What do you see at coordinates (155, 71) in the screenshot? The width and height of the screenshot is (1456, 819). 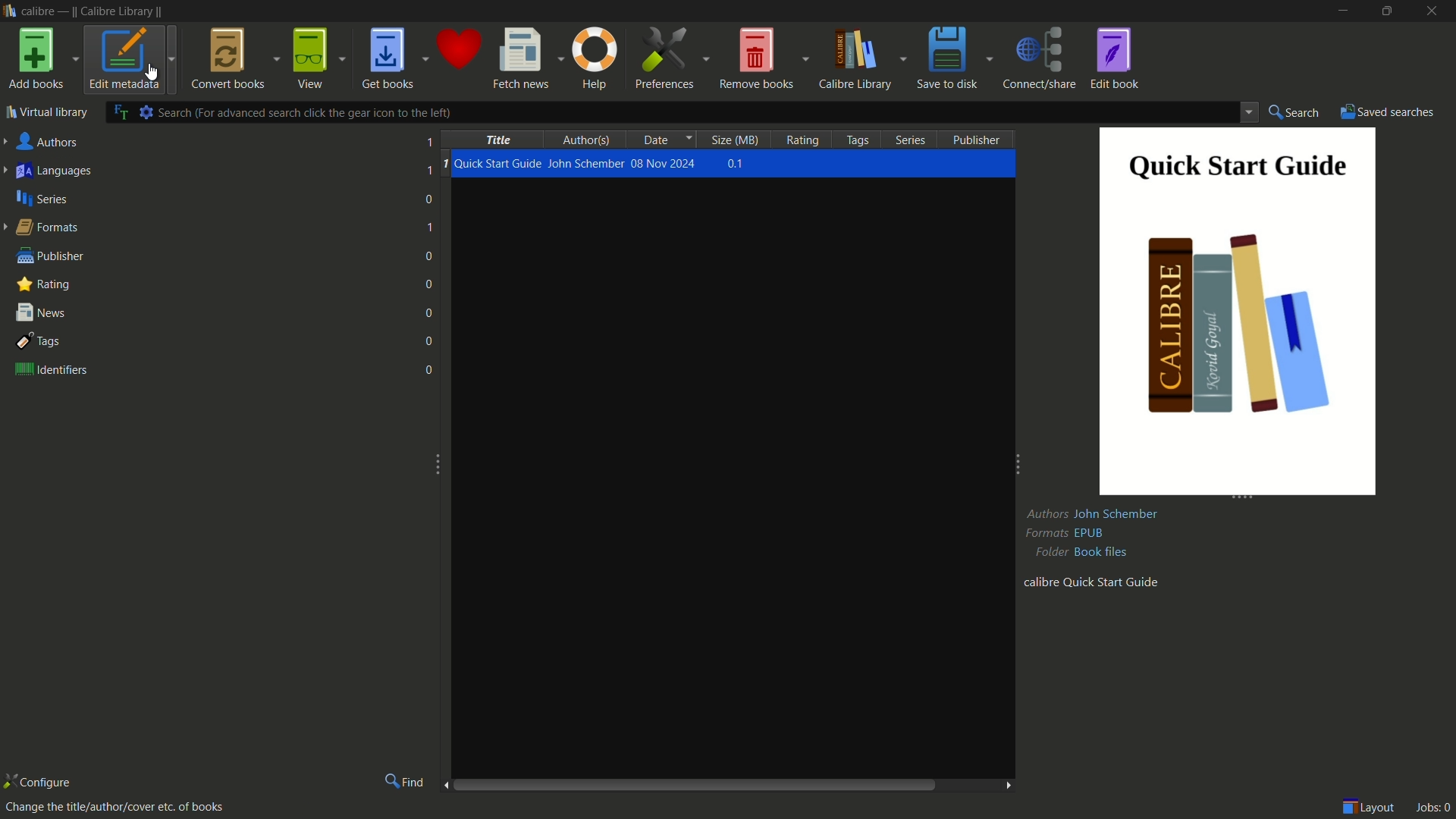 I see `cursor` at bounding box center [155, 71].